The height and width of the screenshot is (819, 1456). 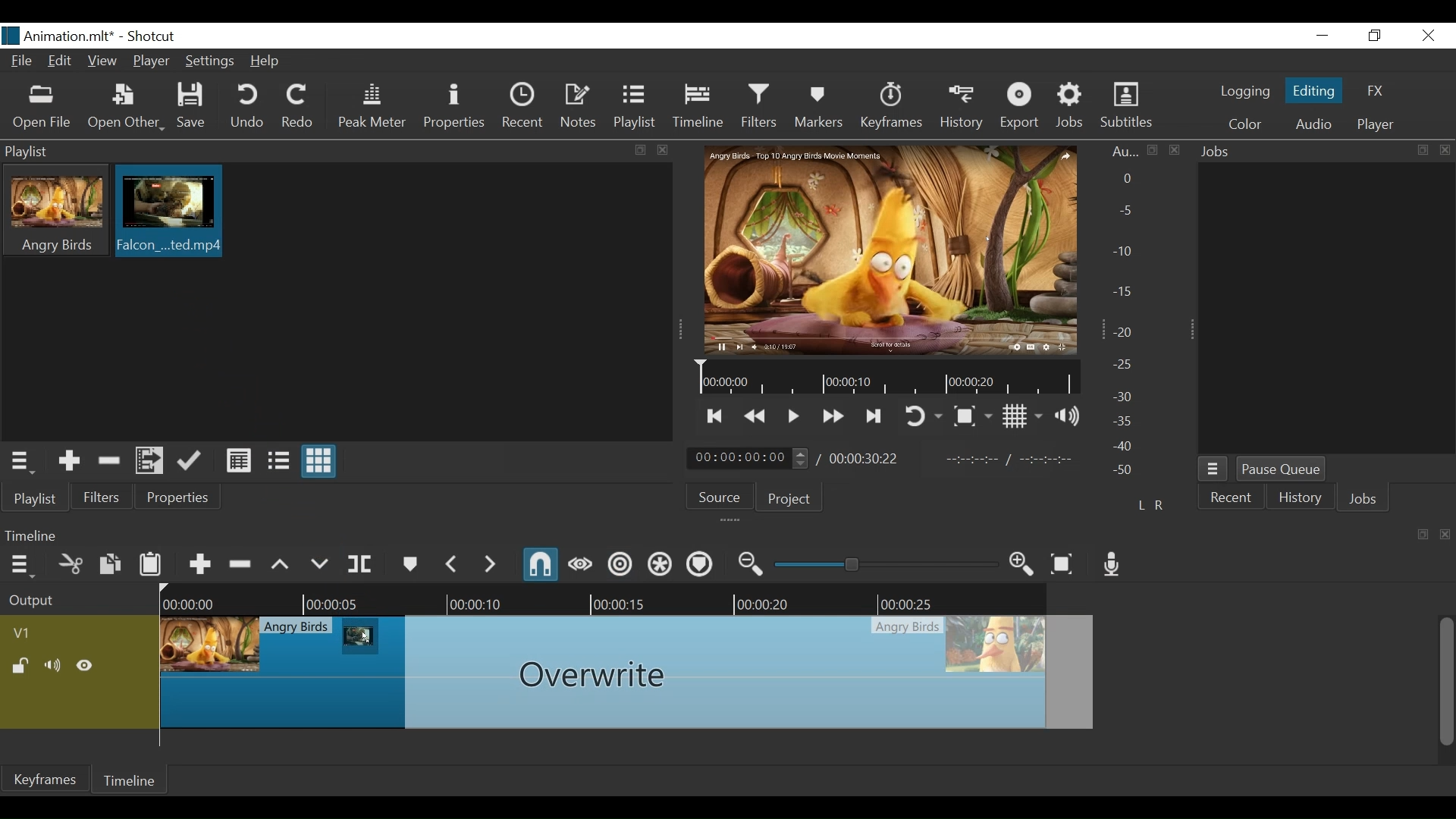 What do you see at coordinates (199, 562) in the screenshot?
I see `Append` at bounding box center [199, 562].